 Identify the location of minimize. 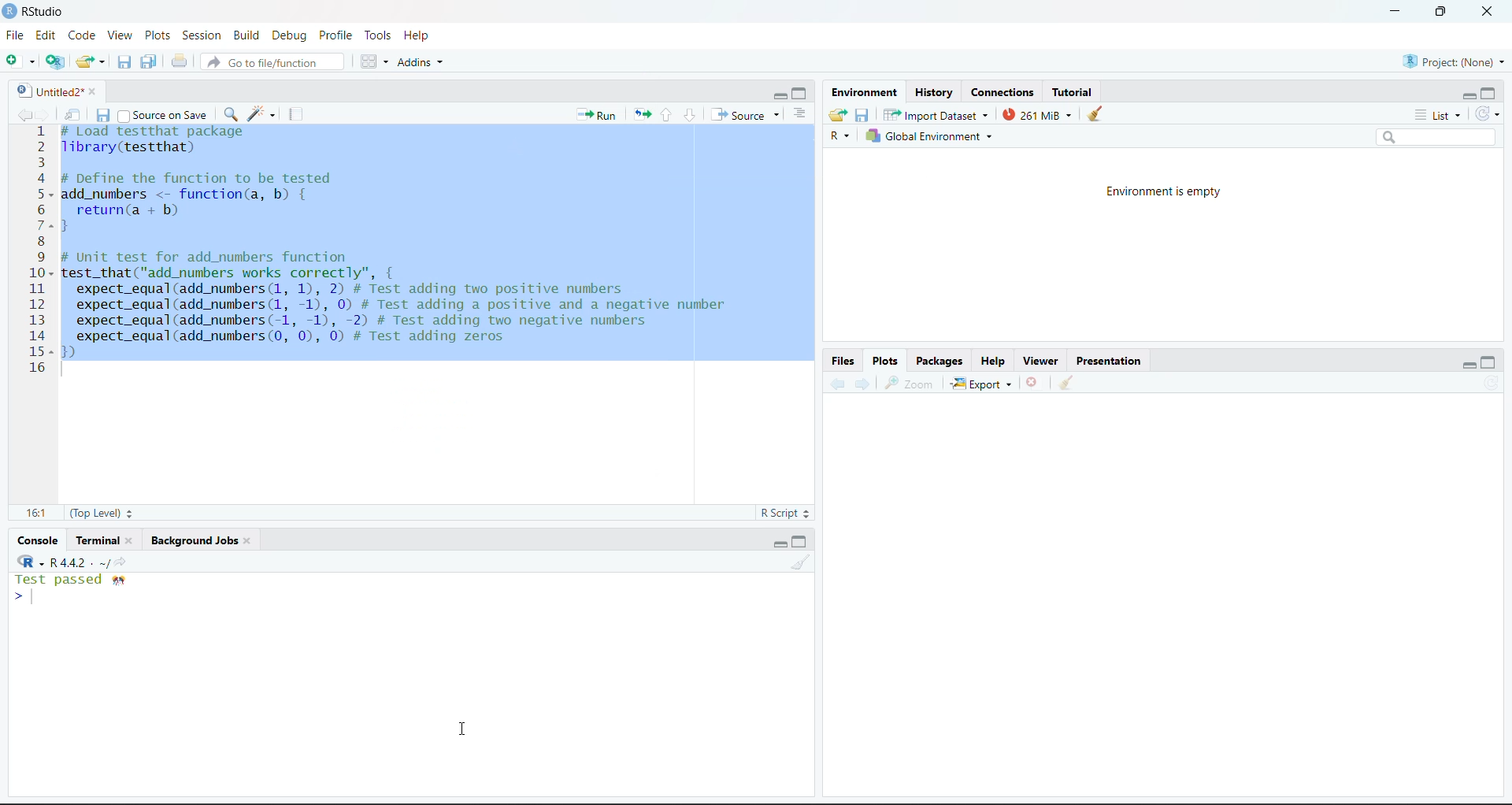
(1468, 95).